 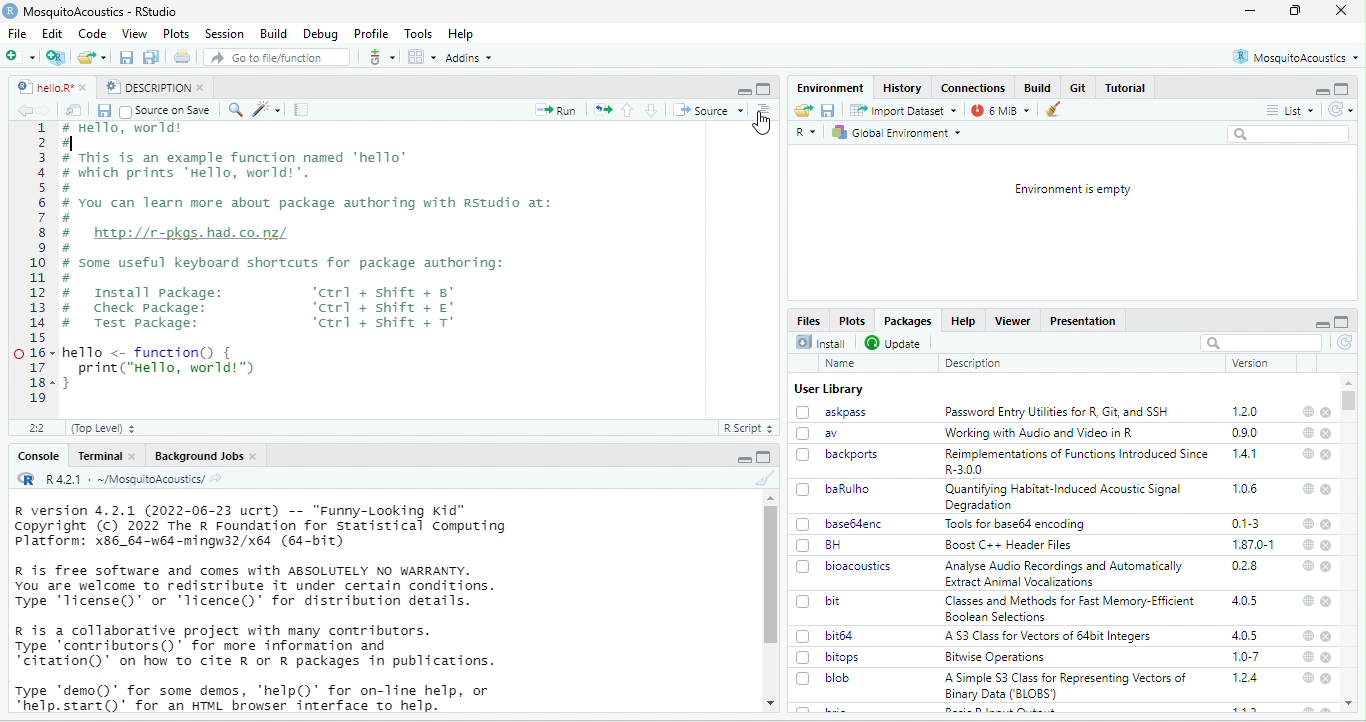 I want to click on Packages, so click(x=911, y=322).